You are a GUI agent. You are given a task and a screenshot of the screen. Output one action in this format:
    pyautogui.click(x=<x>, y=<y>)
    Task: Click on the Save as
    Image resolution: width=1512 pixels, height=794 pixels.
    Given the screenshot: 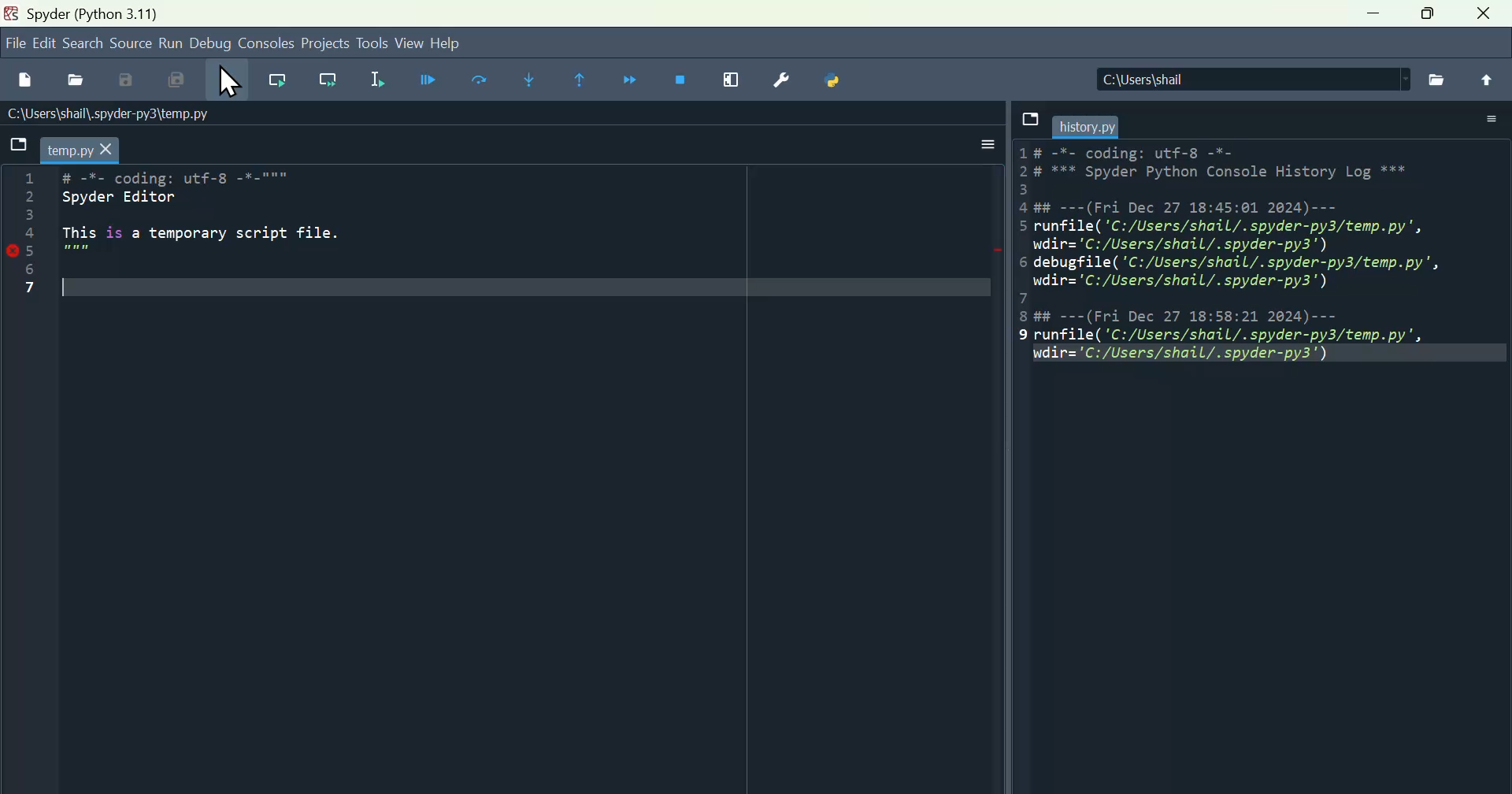 What is the action you would take?
    pyautogui.click(x=128, y=83)
    